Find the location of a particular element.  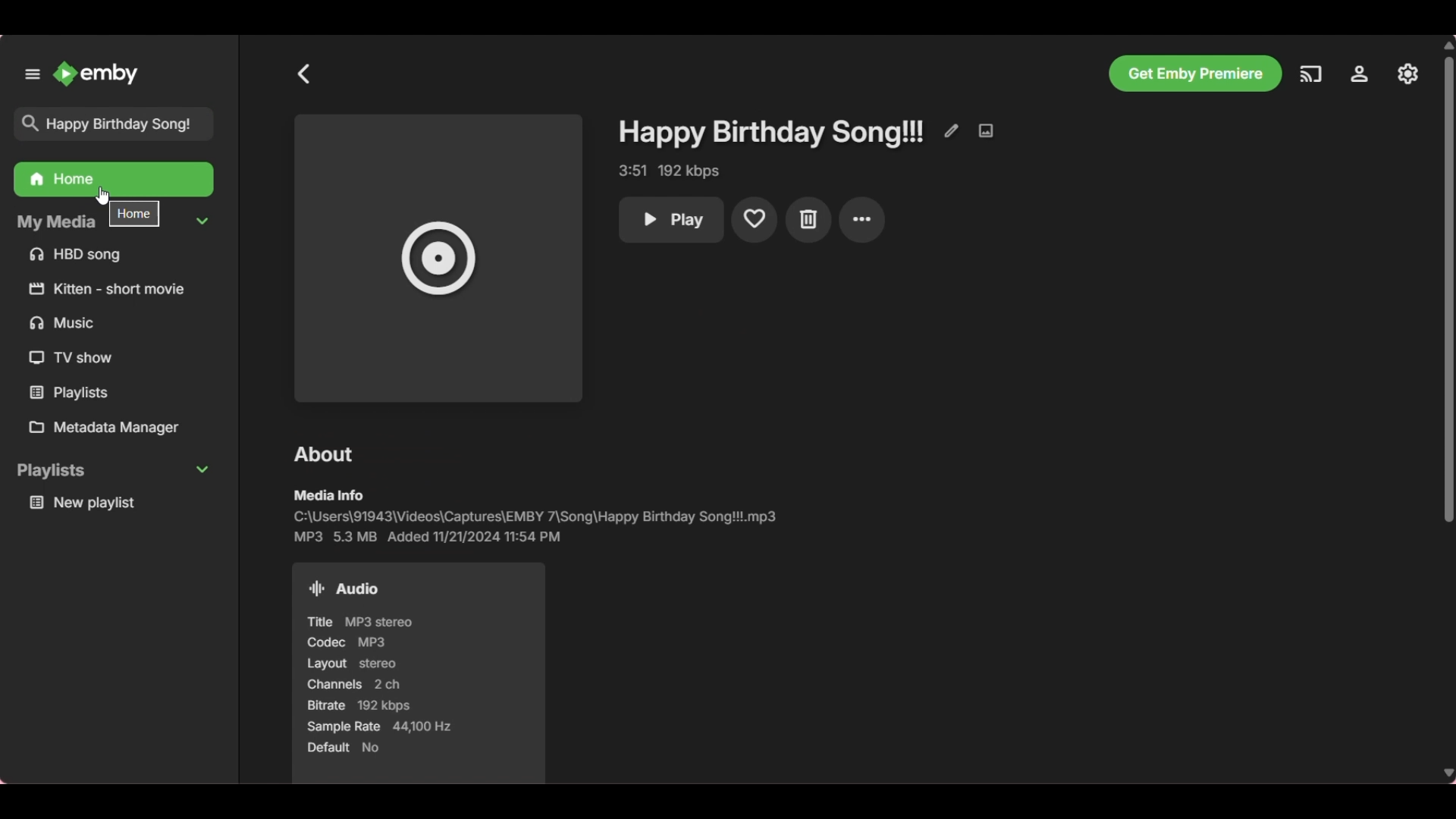

Happy birthday song is located at coordinates (770, 133).